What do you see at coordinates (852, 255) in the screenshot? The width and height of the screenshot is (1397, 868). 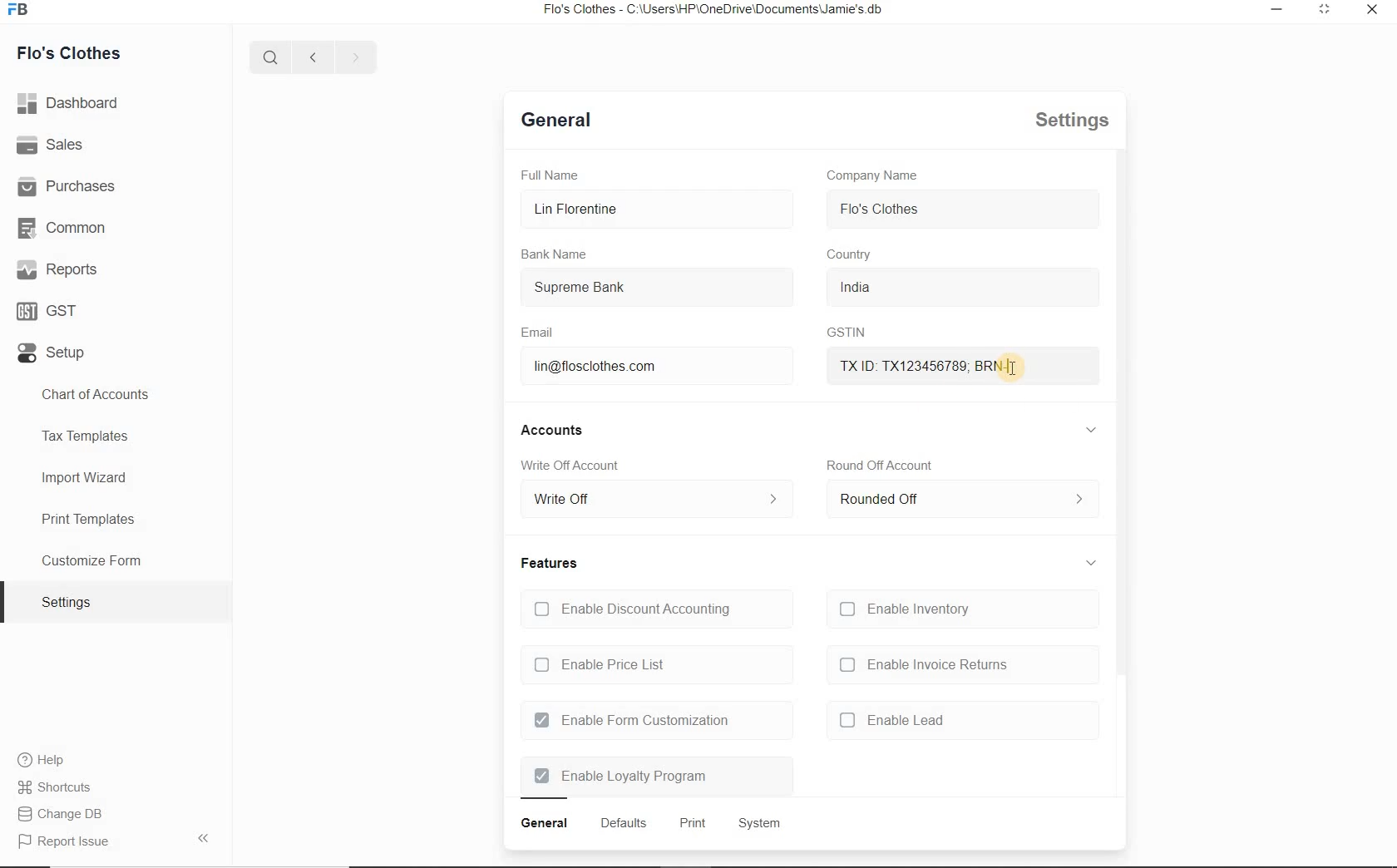 I see `country` at bounding box center [852, 255].